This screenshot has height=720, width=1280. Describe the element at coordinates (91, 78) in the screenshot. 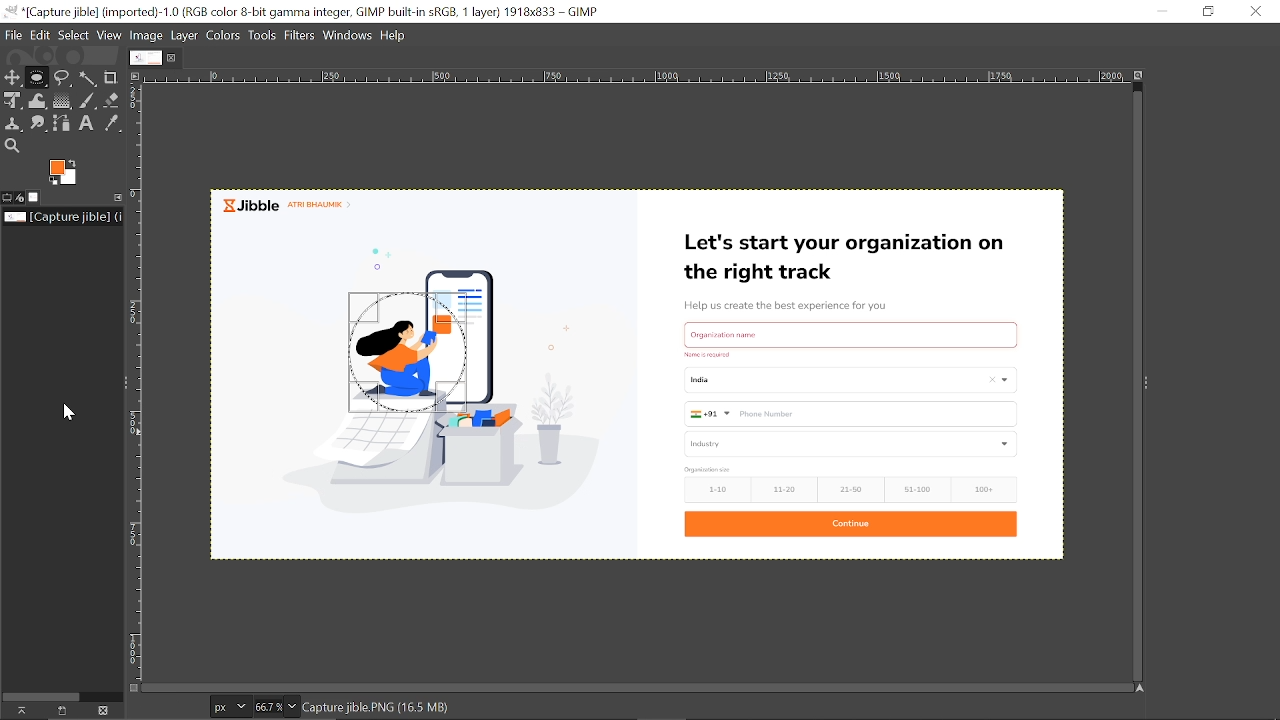

I see `Fuzzy select tool` at that location.